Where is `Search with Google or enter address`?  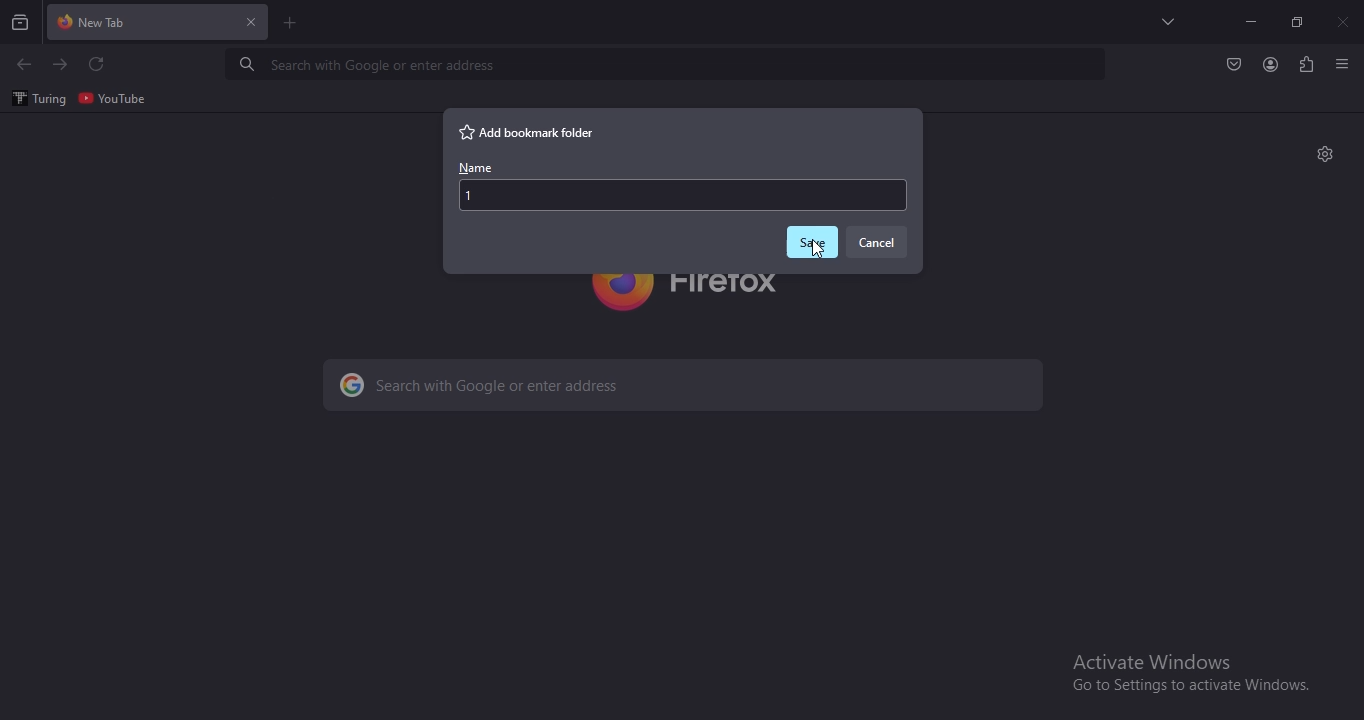
Search with Google or enter address is located at coordinates (365, 66).